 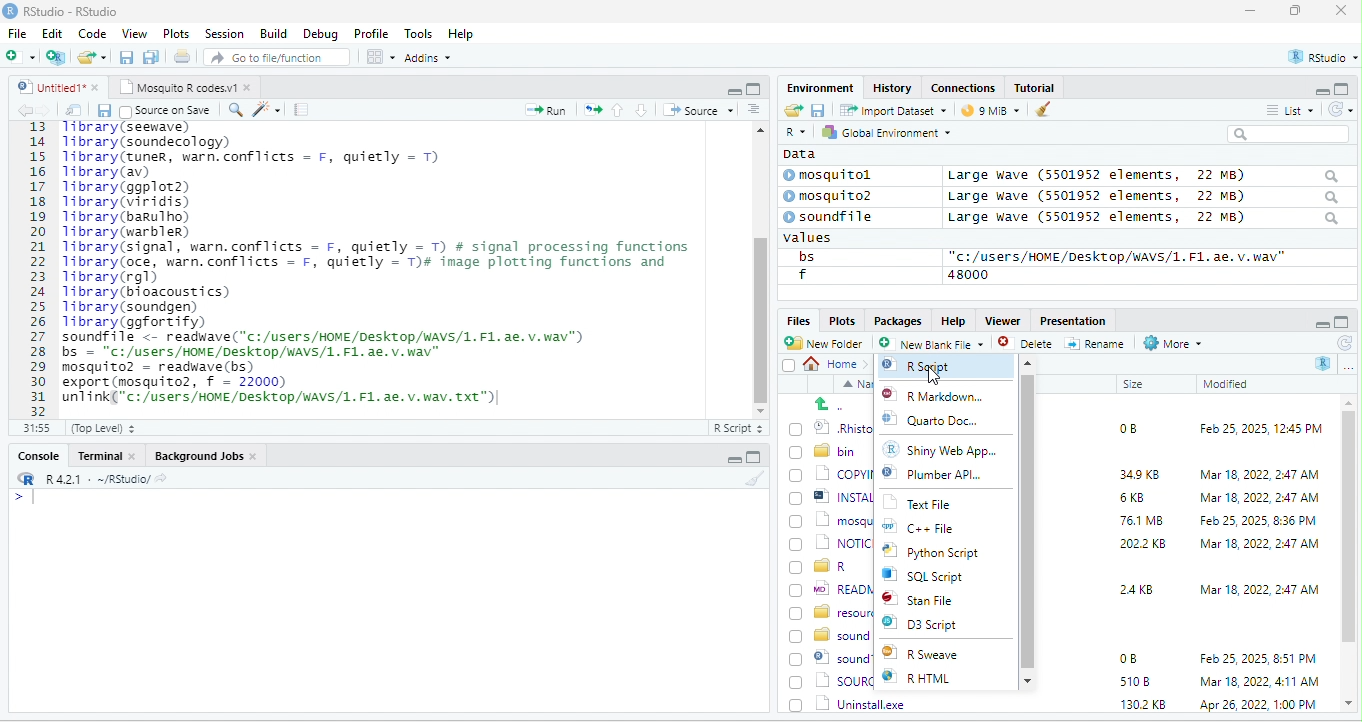 What do you see at coordinates (1324, 363) in the screenshot?
I see `R` at bounding box center [1324, 363].